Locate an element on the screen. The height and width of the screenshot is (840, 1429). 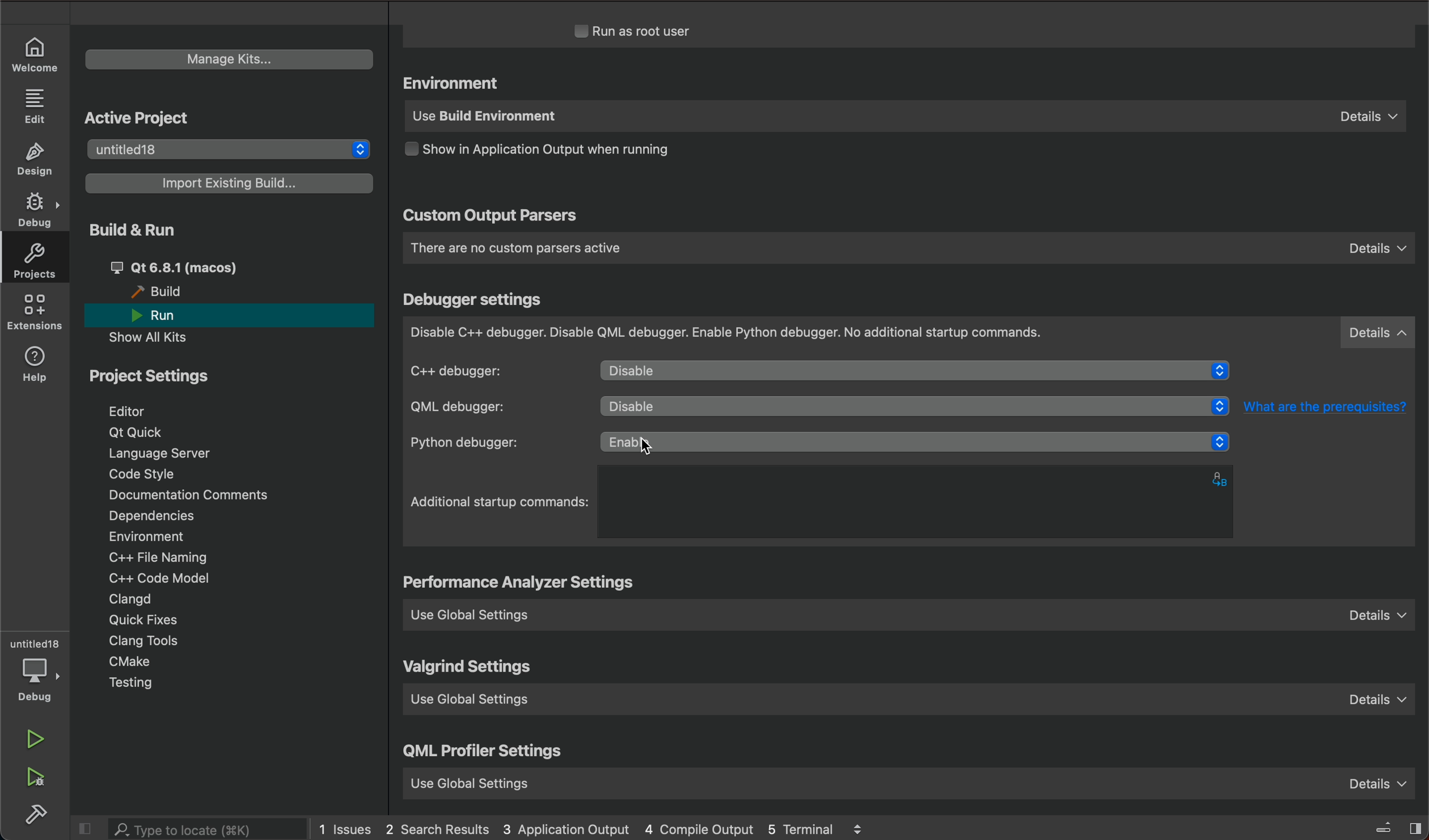
python debugger is located at coordinates (492, 443).